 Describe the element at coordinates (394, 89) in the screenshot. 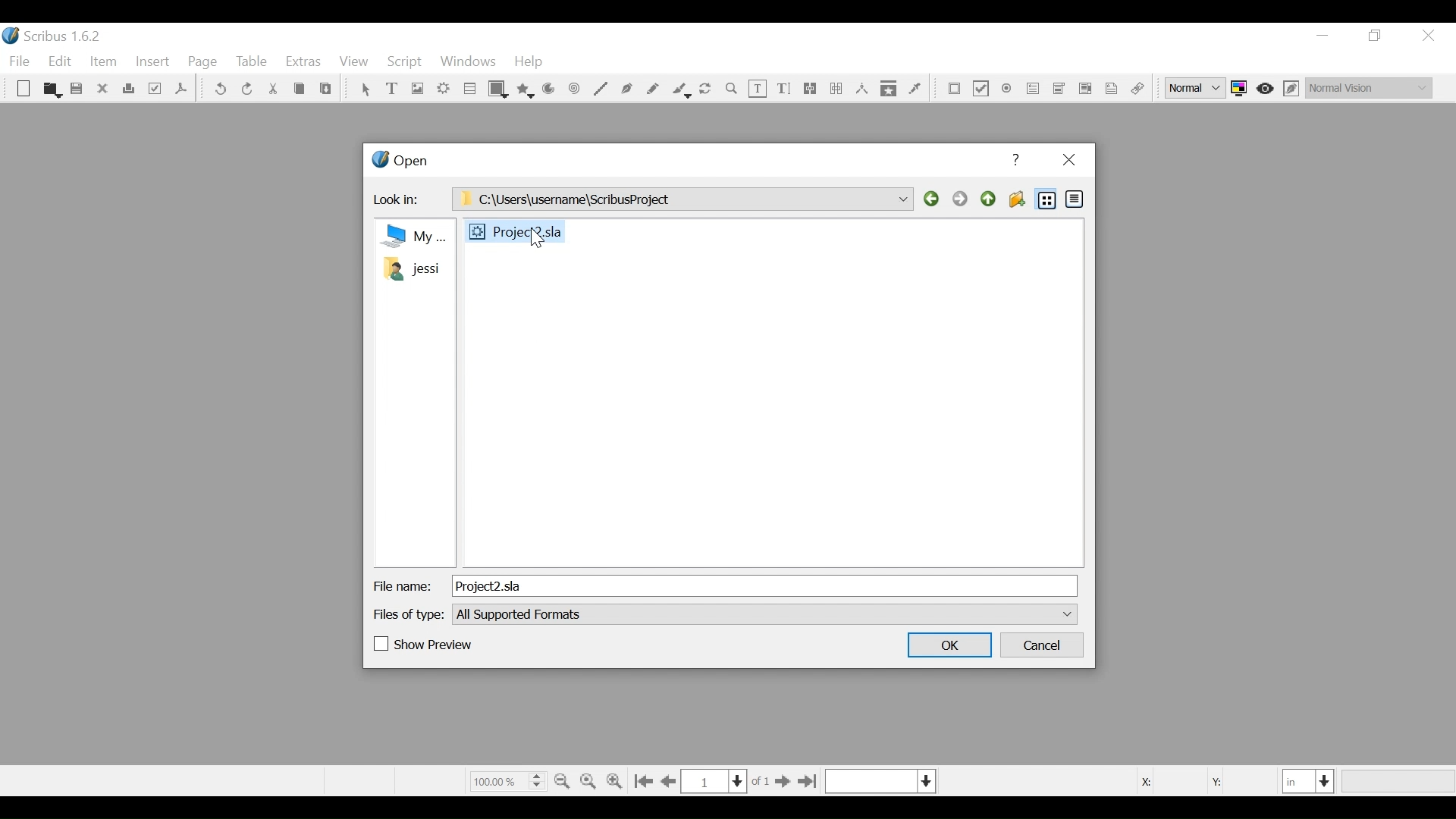

I see `Text Frame` at that location.